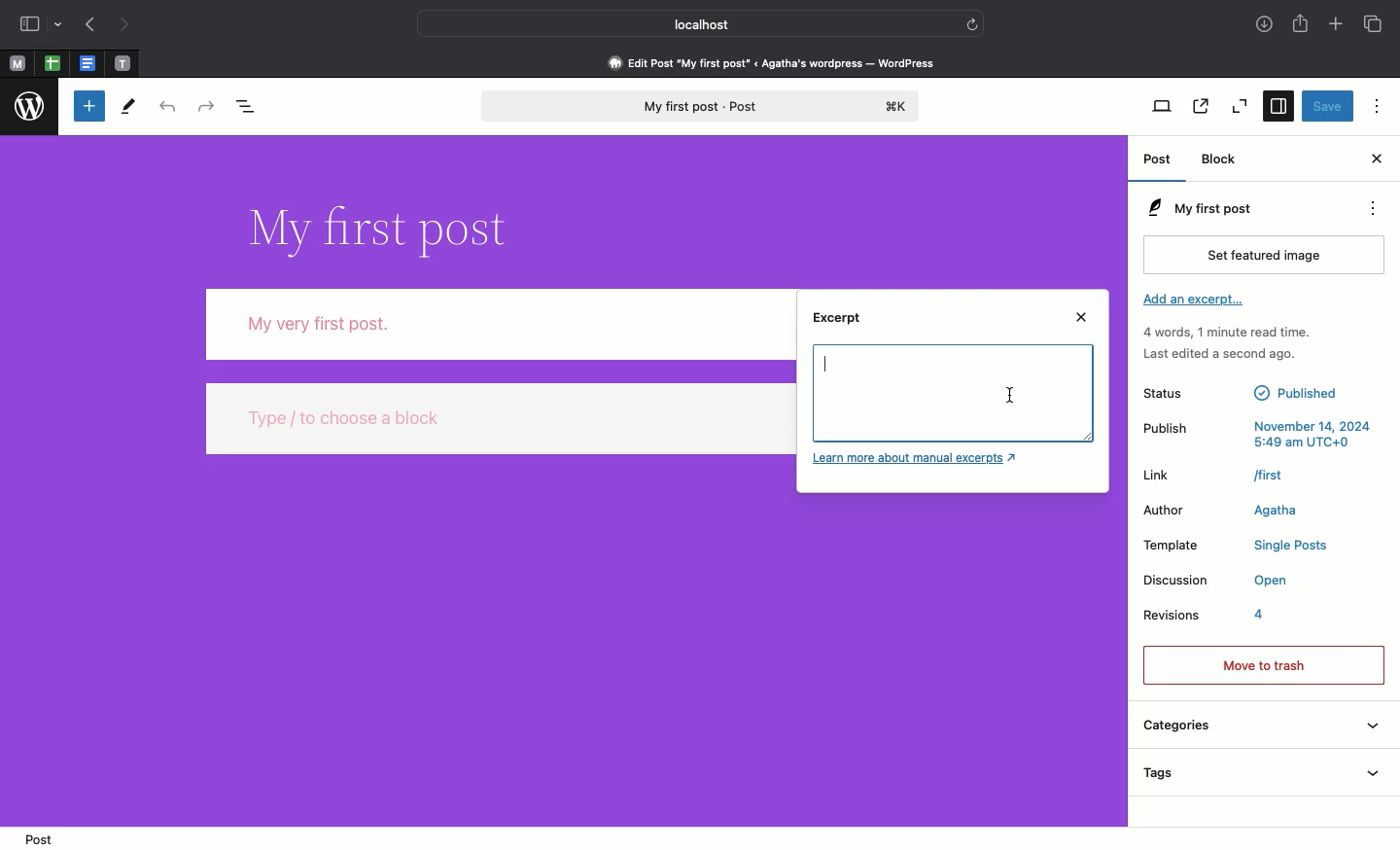 This screenshot has width=1400, height=850. I want to click on Link, so click(1215, 475).